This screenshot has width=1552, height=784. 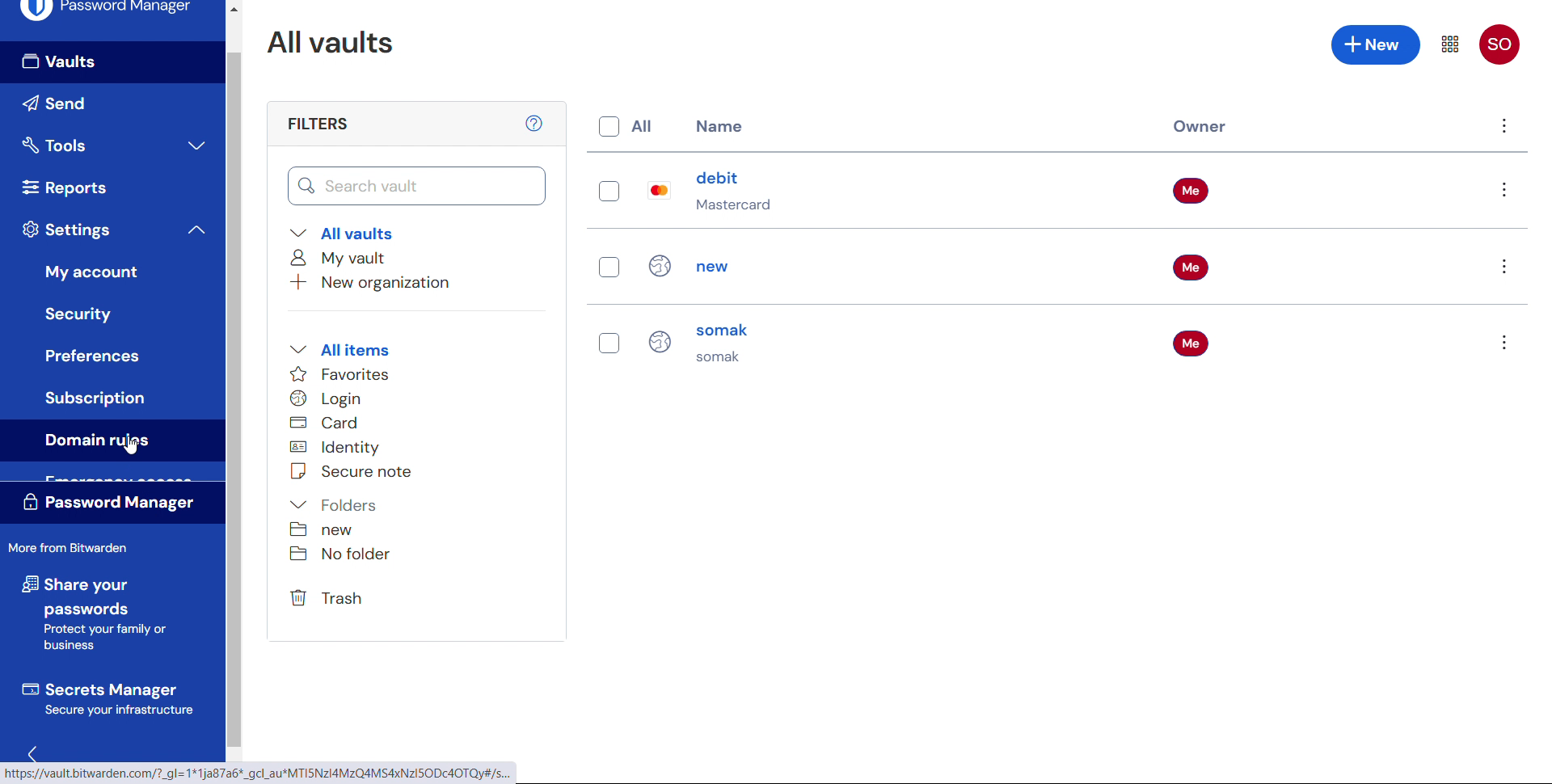 What do you see at coordinates (110, 440) in the screenshot?
I see `Domain rules ` at bounding box center [110, 440].